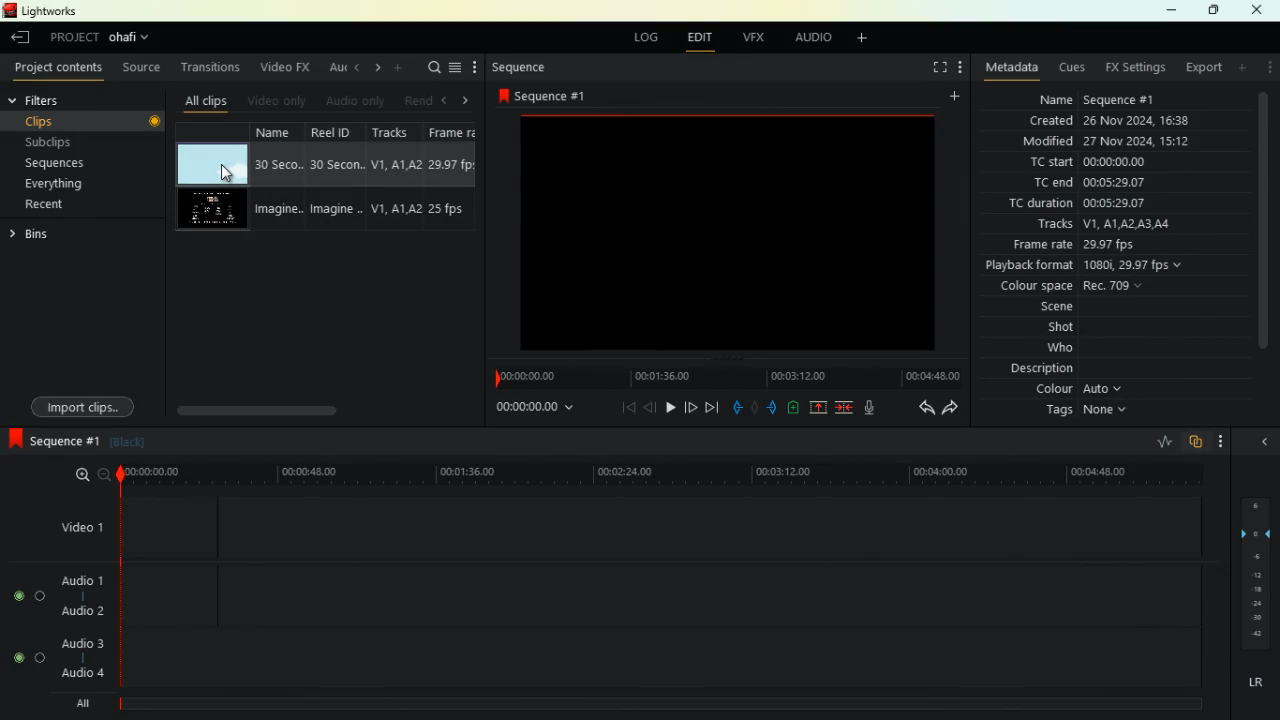  I want to click on playback format, so click(1087, 266).